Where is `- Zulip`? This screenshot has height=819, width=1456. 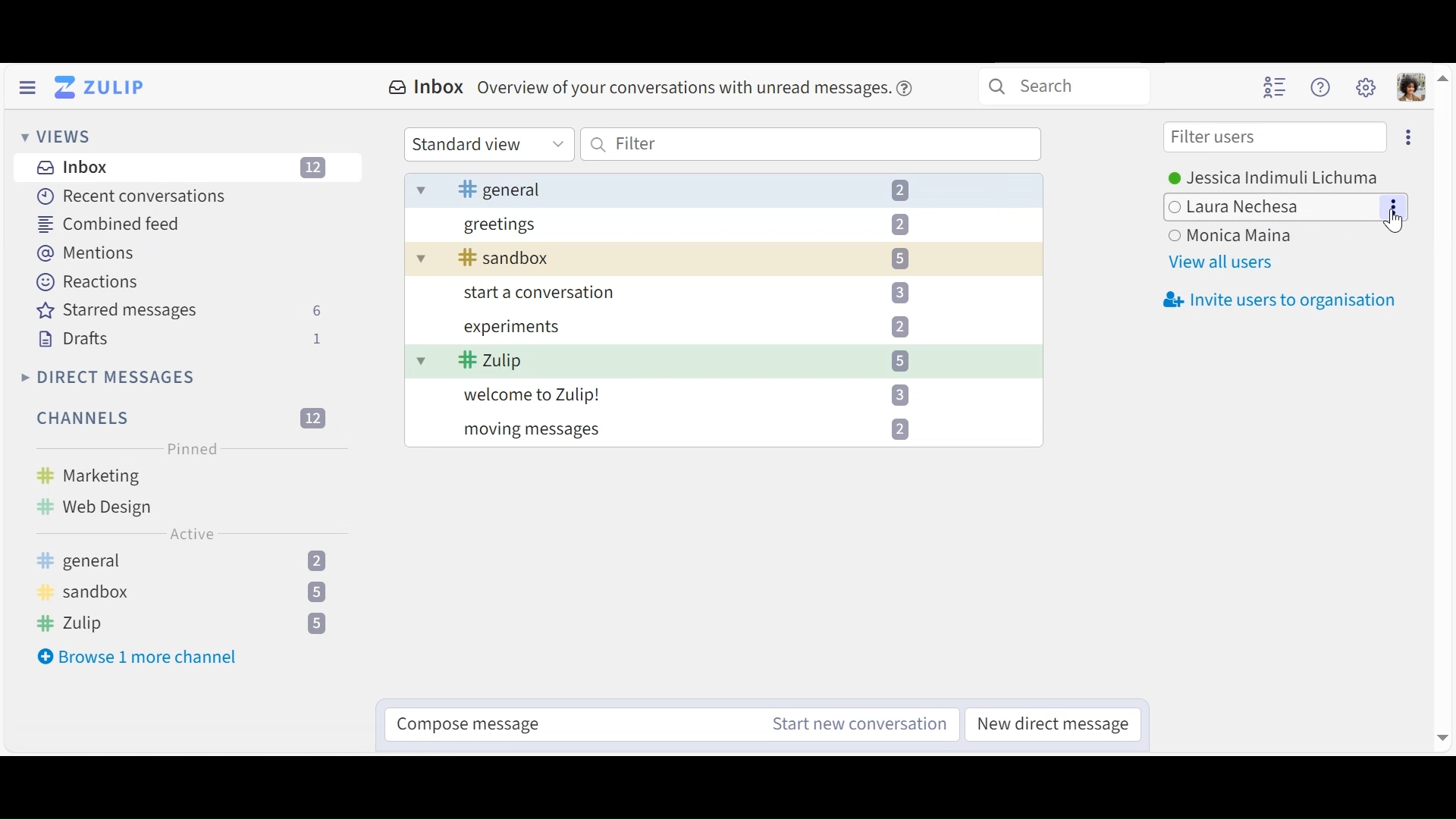 - Zulip is located at coordinates (691, 362).